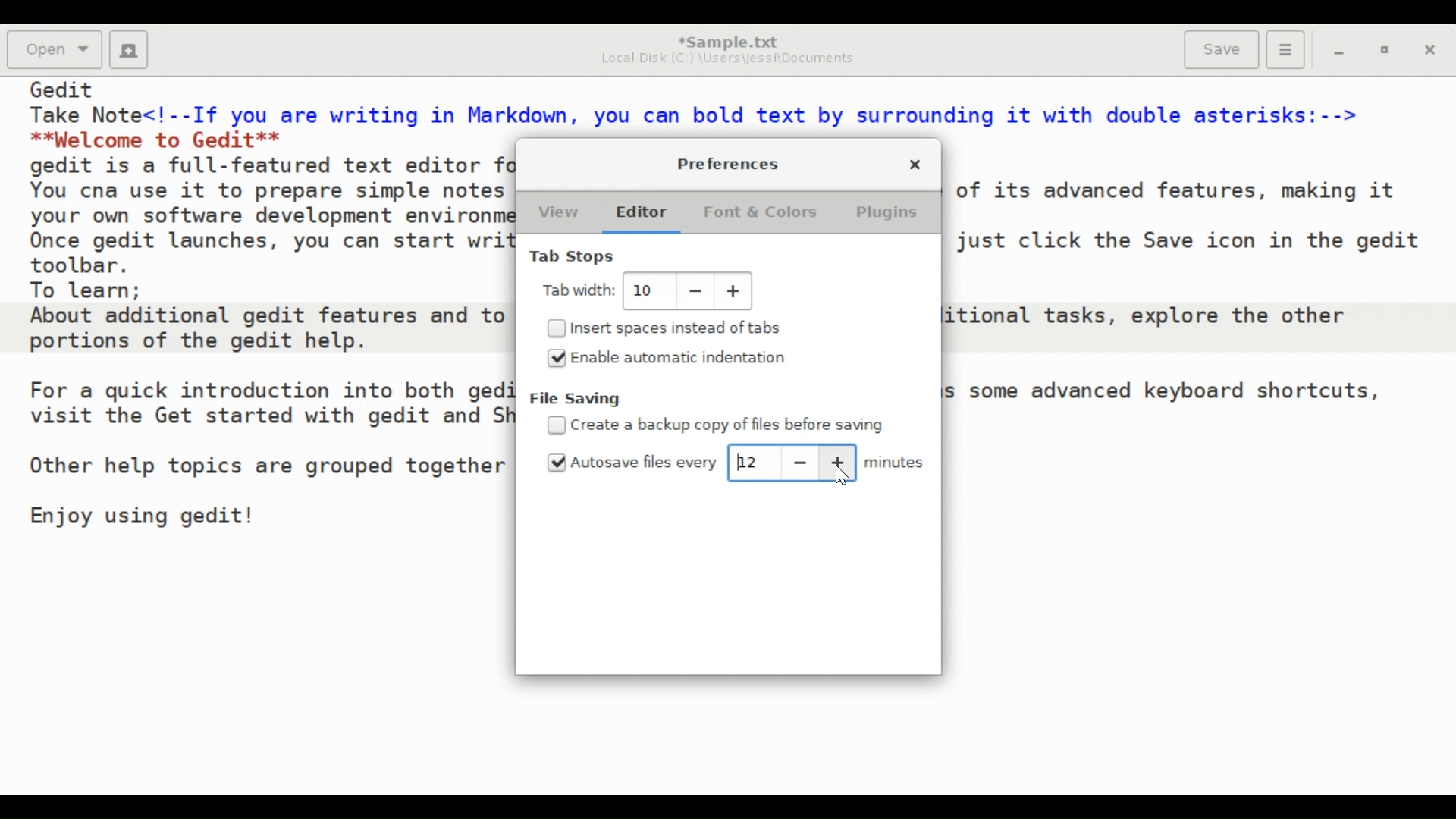 Image resolution: width=1456 pixels, height=819 pixels. Describe the element at coordinates (728, 39) in the screenshot. I see `*Sample.txt` at that location.